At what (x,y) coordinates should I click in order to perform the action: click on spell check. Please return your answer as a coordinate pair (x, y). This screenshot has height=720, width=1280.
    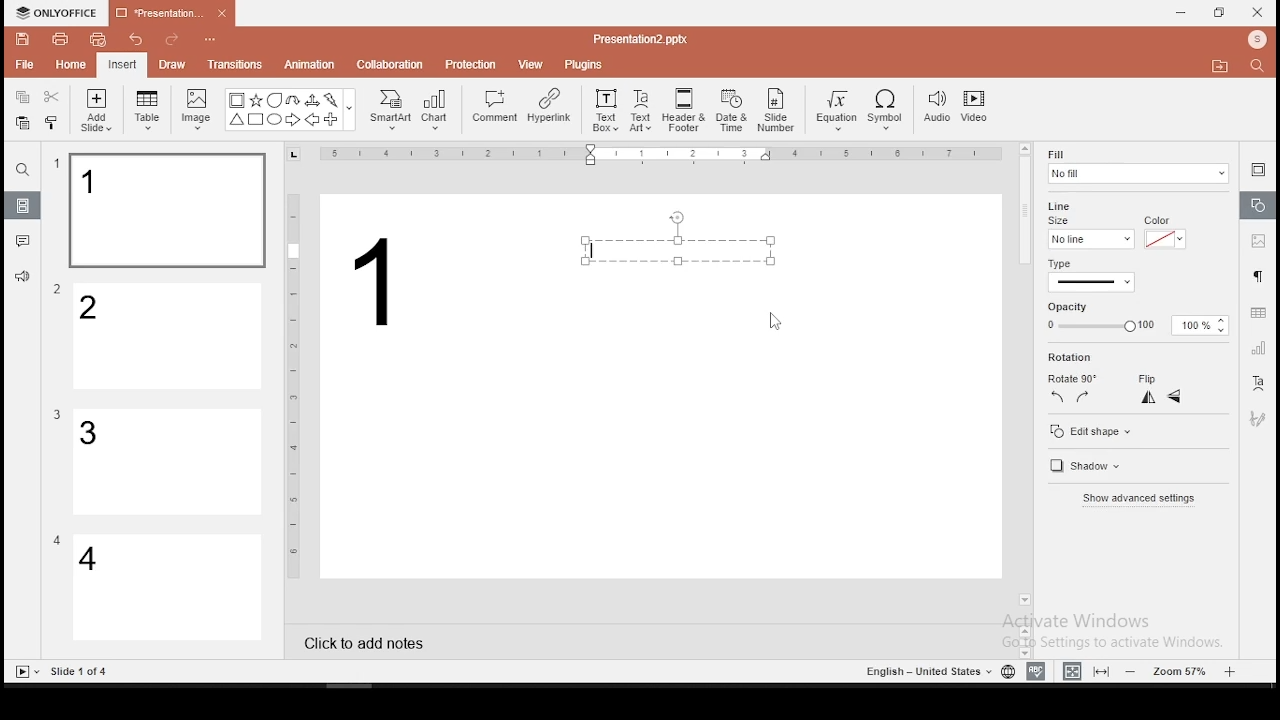
    Looking at the image, I should click on (1036, 671).